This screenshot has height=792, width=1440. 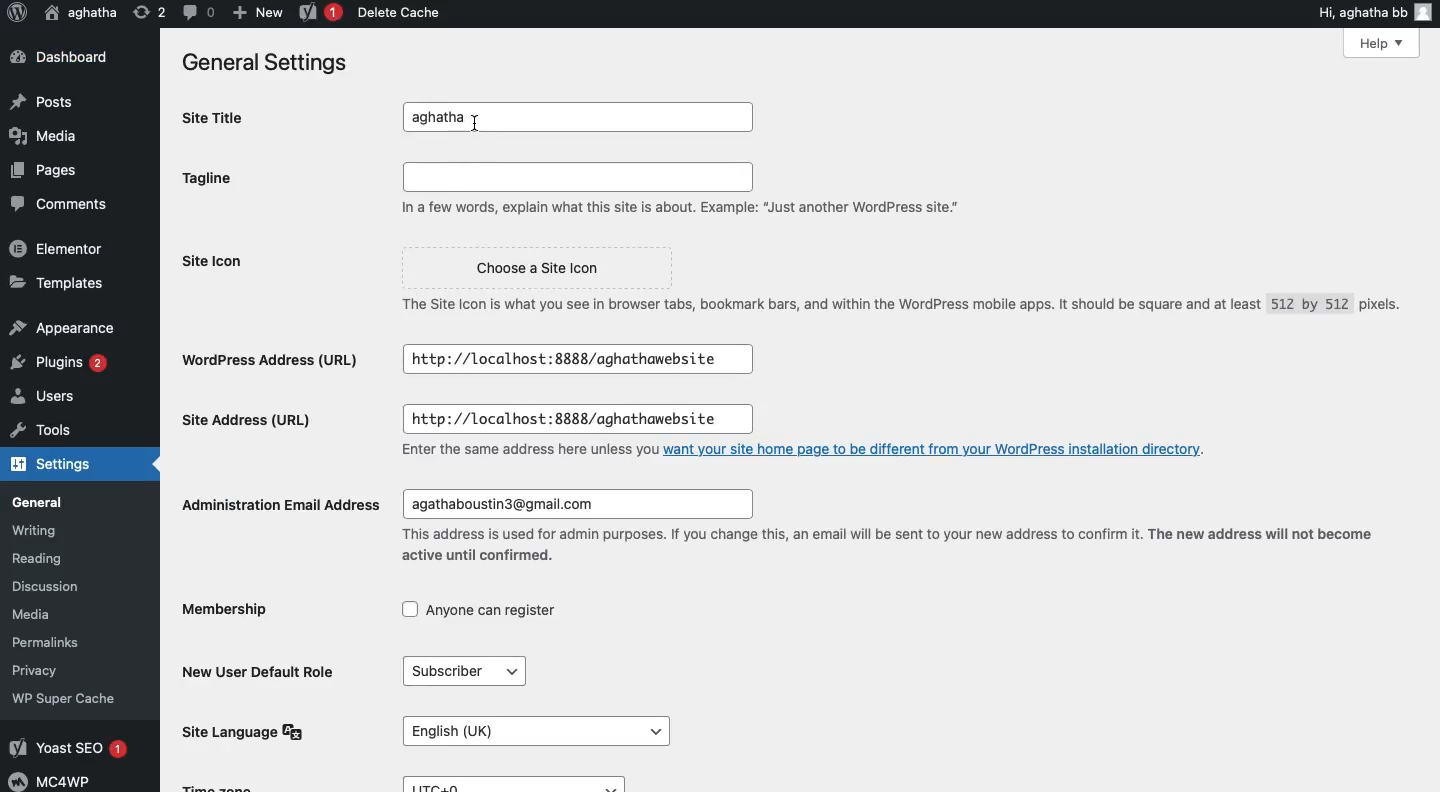 I want to click on This address is used for admin purposes. If you change this, an email will be sent to your new address to confirm it. The new address will not become
active until confirmed., so click(x=884, y=548).